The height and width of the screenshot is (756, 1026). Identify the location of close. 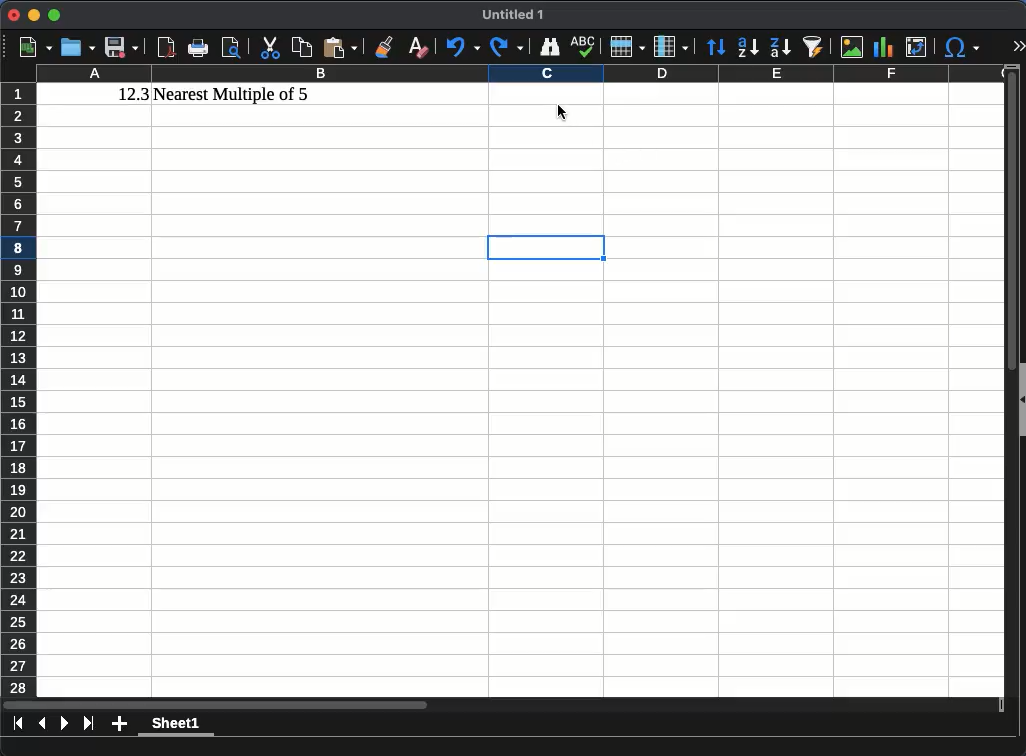
(11, 15).